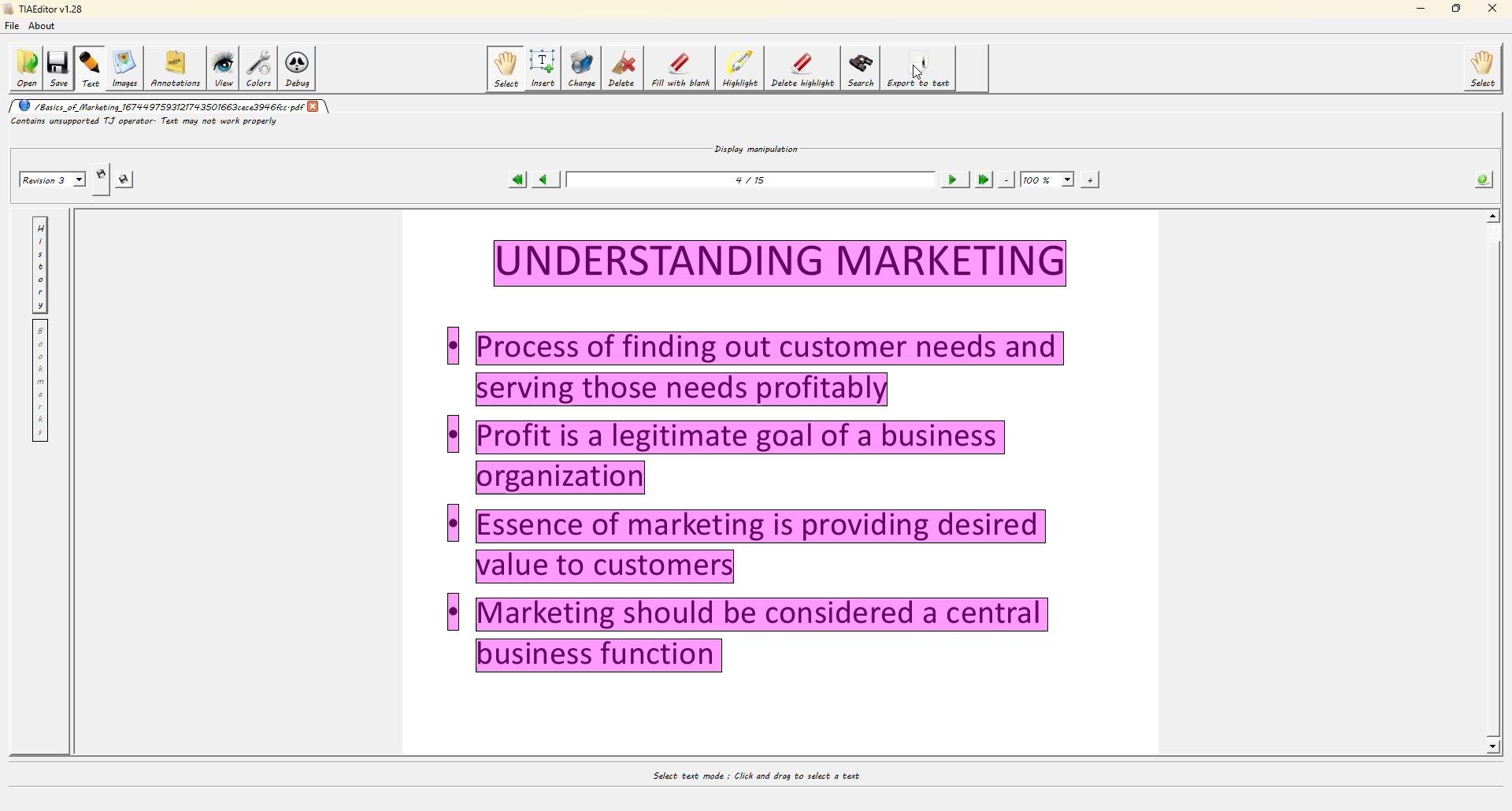 Image resolution: width=1512 pixels, height=811 pixels. Describe the element at coordinates (1494, 215) in the screenshot. I see `scroll up` at that location.